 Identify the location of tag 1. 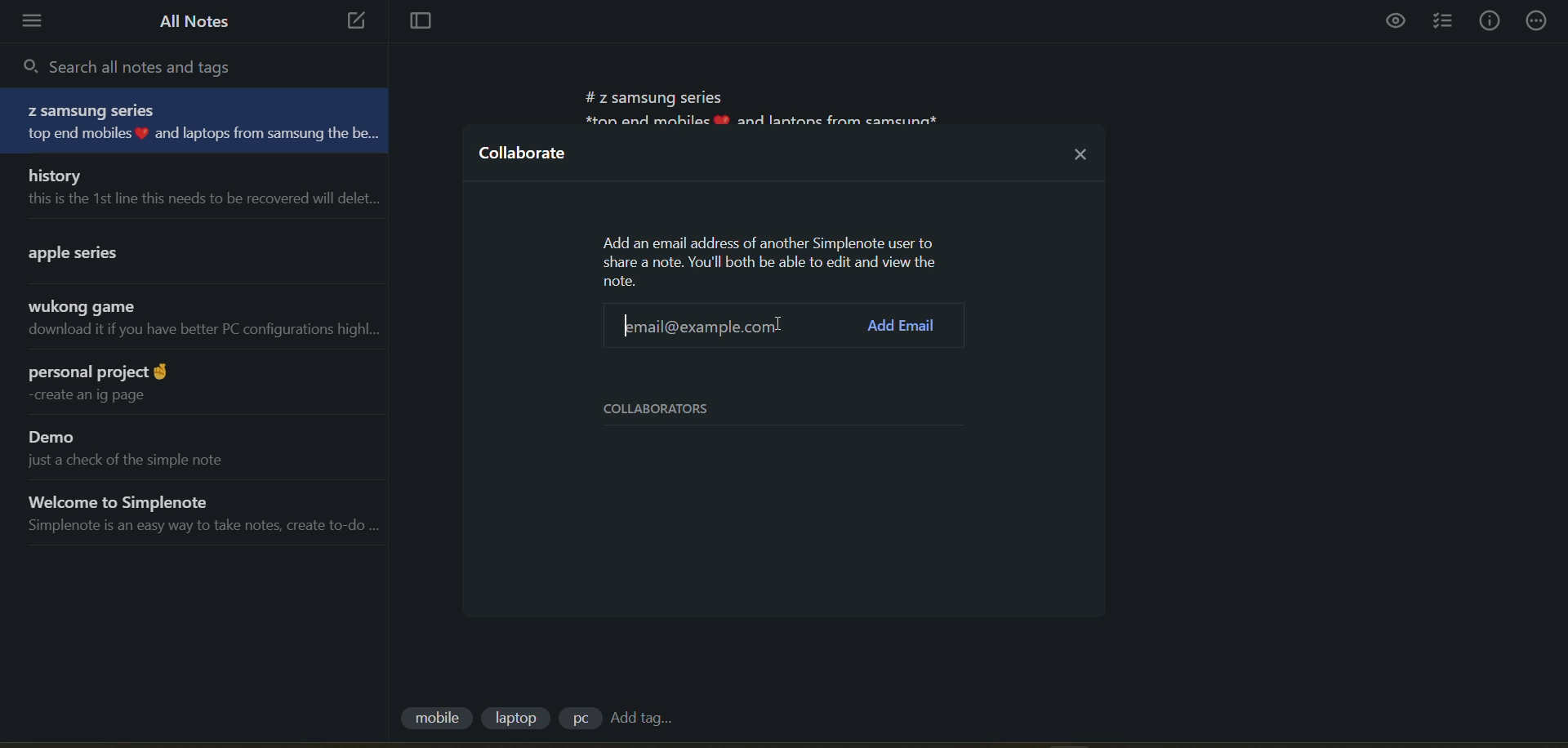
(435, 719).